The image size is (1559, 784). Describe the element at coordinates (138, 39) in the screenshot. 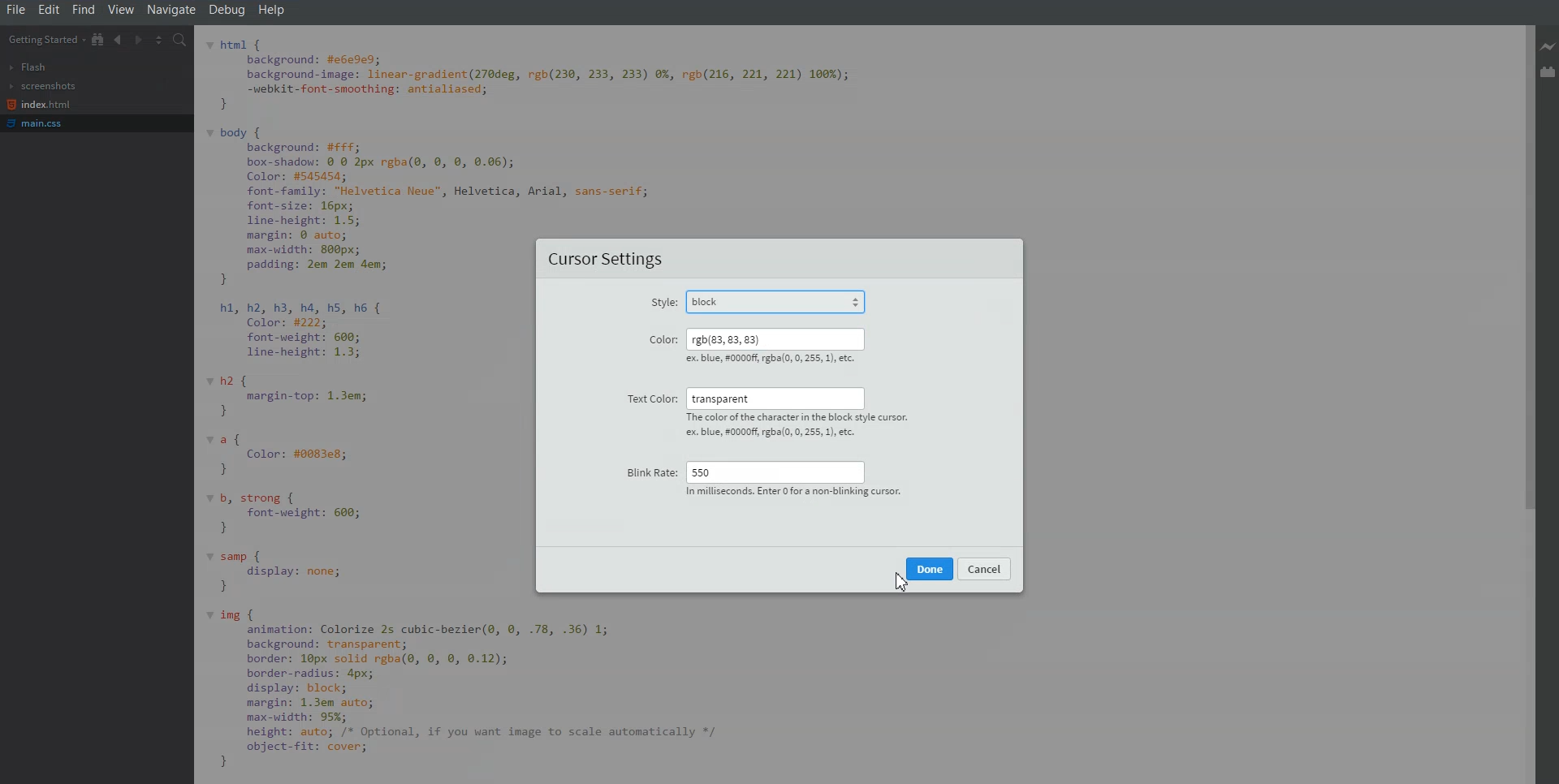

I see `Navigate Forwards` at that location.